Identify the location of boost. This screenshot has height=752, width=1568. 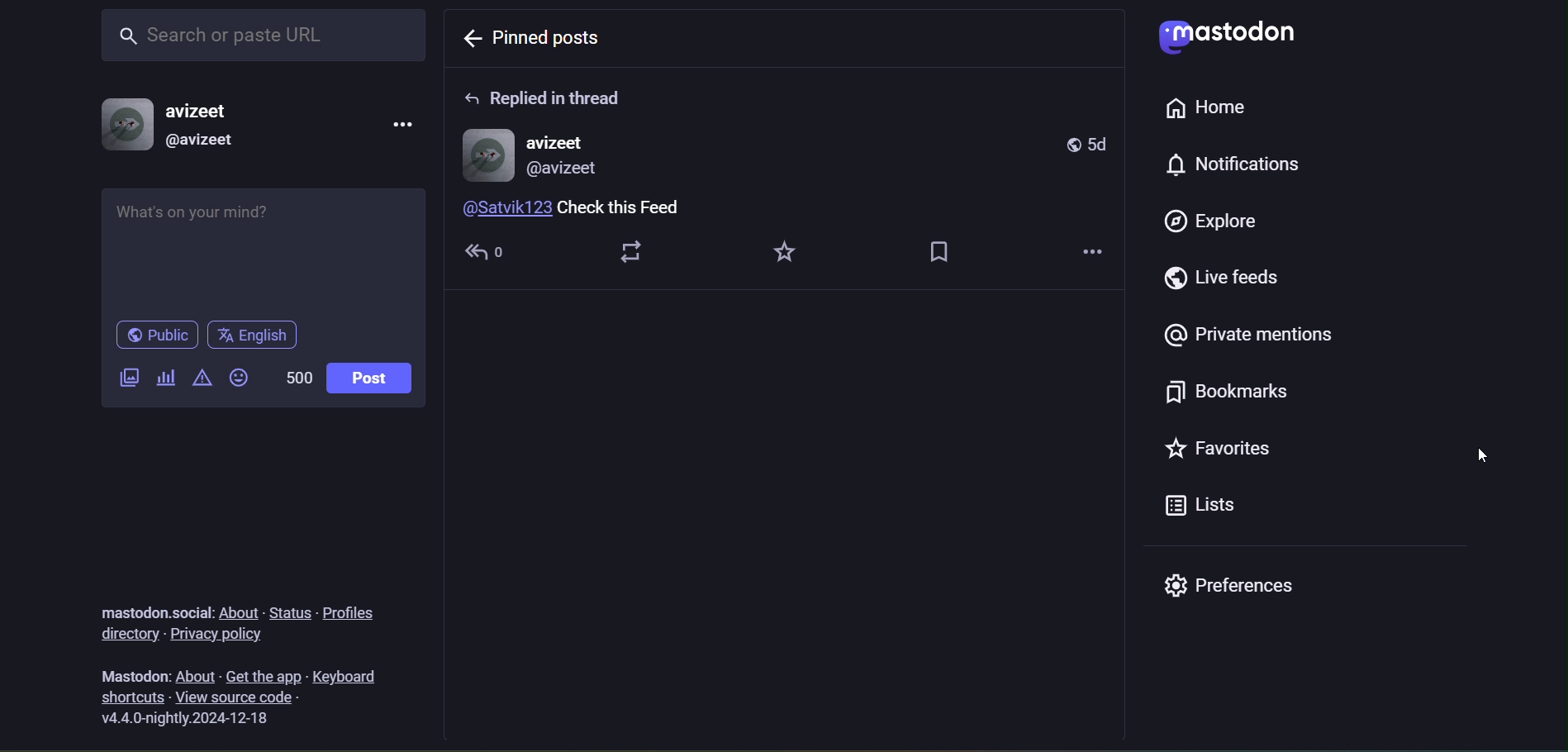
(640, 255).